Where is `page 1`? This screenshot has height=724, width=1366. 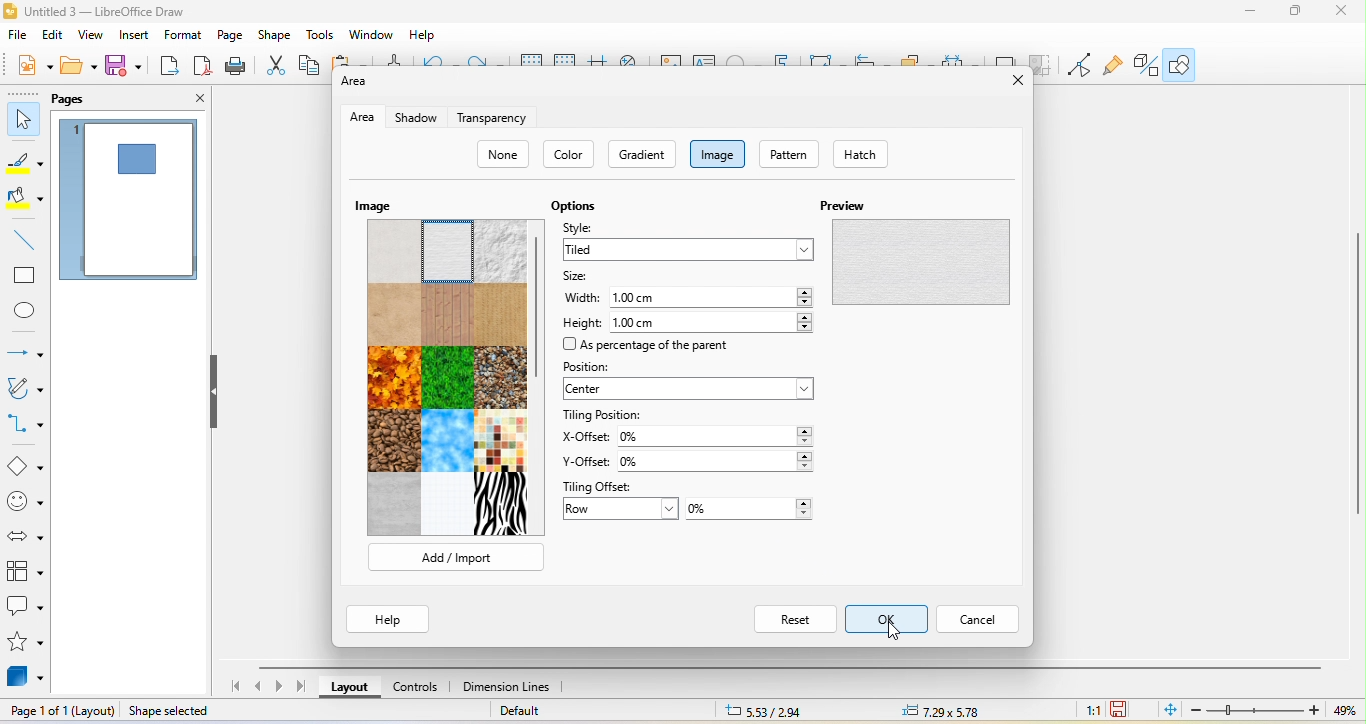
page 1 is located at coordinates (132, 202).